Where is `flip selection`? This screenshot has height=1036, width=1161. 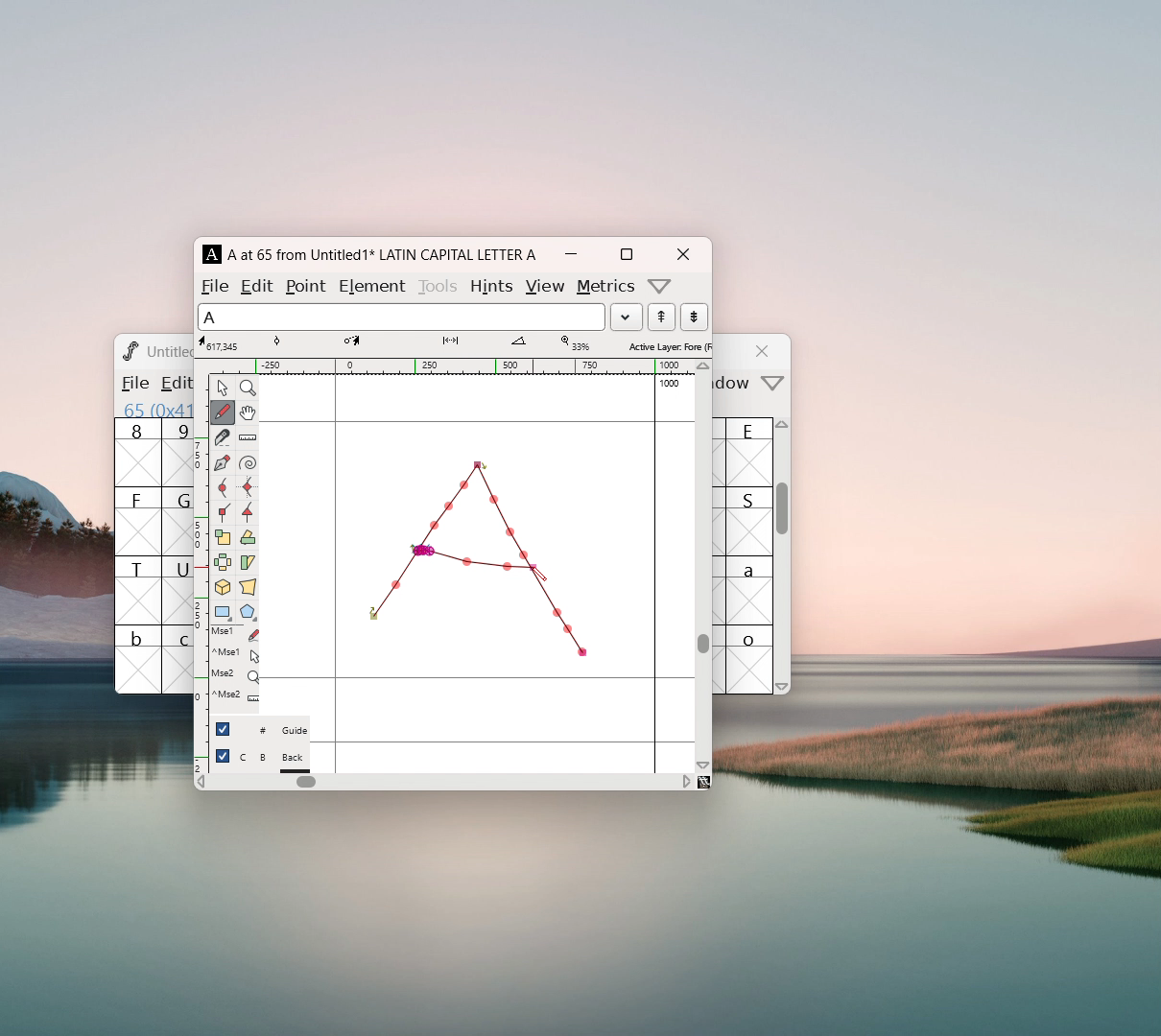 flip selection is located at coordinates (223, 565).